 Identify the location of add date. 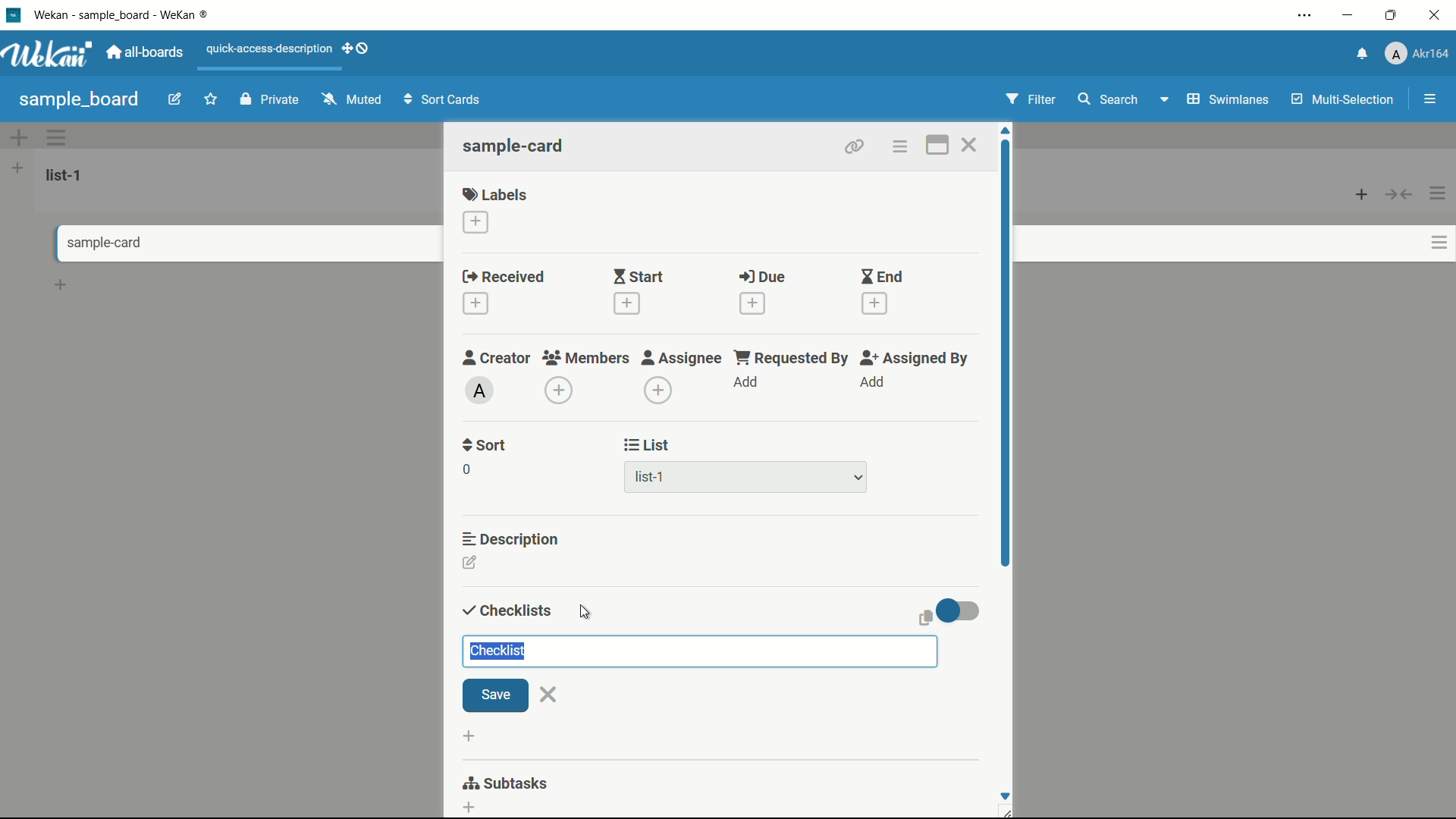
(875, 304).